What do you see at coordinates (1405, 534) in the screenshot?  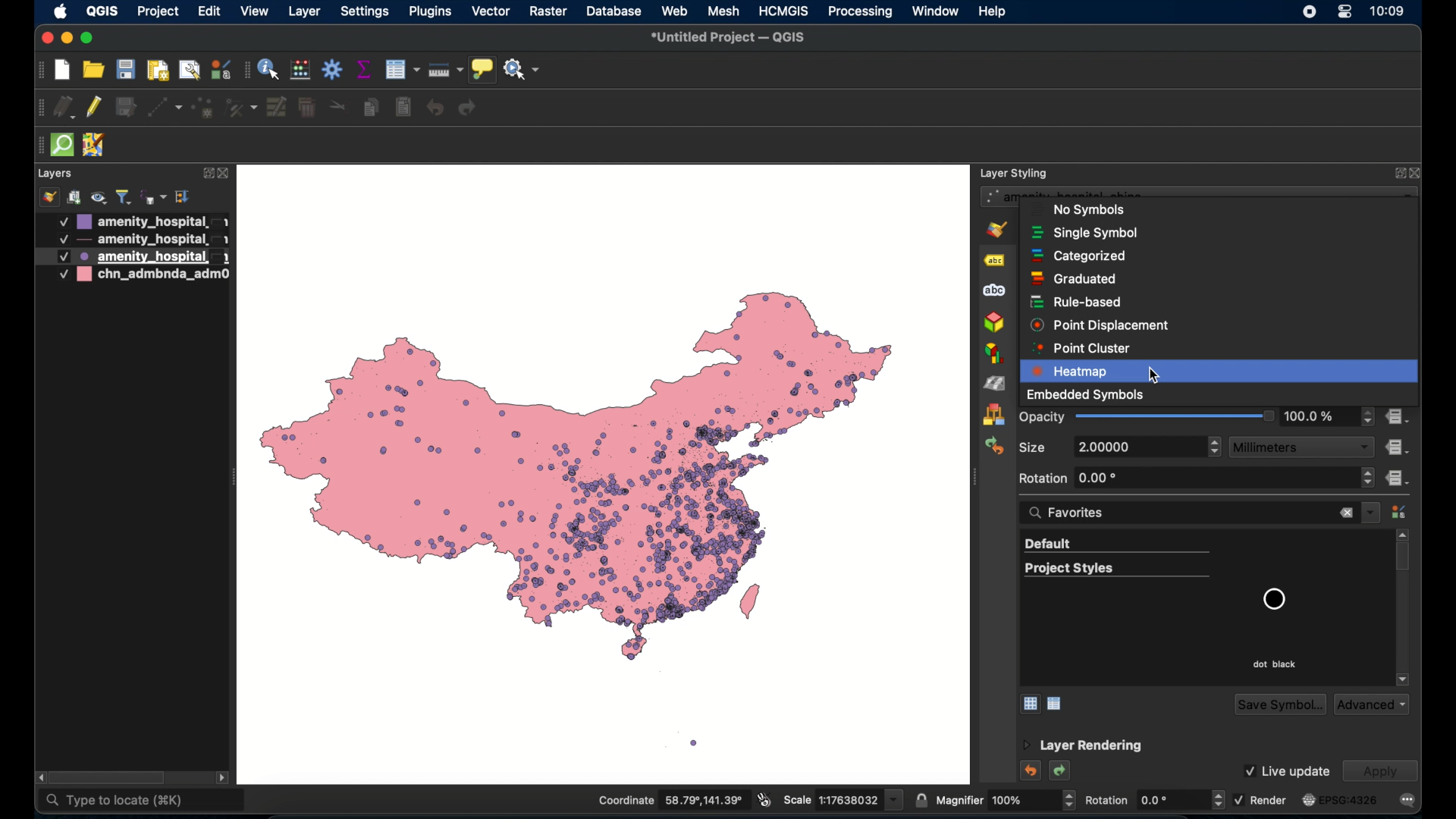 I see `scroll up arrow` at bounding box center [1405, 534].